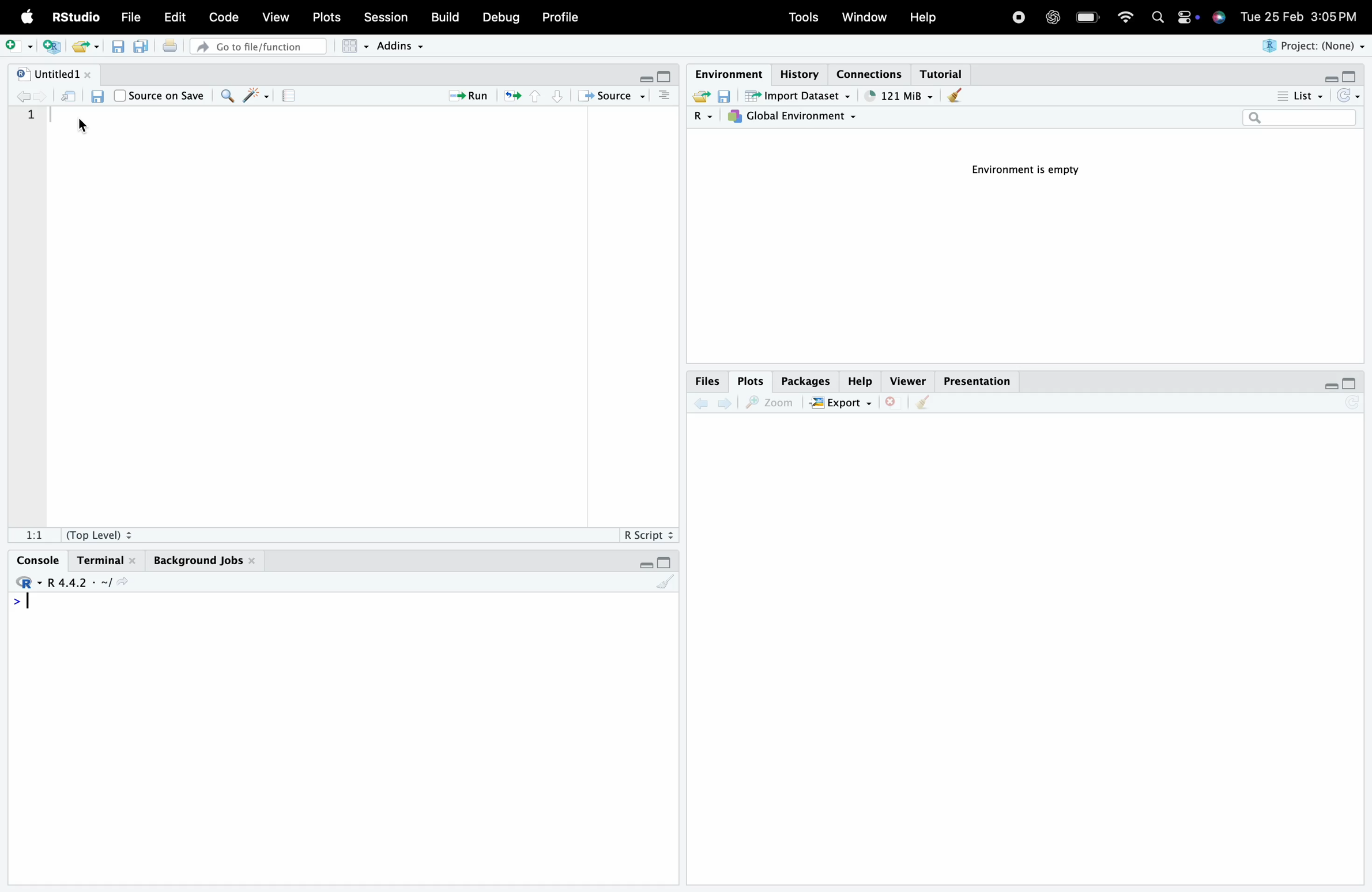 This screenshot has width=1372, height=892. Describe the element at coordinates (257, 95) in the screenshot. I see `Code Tools` at that location.